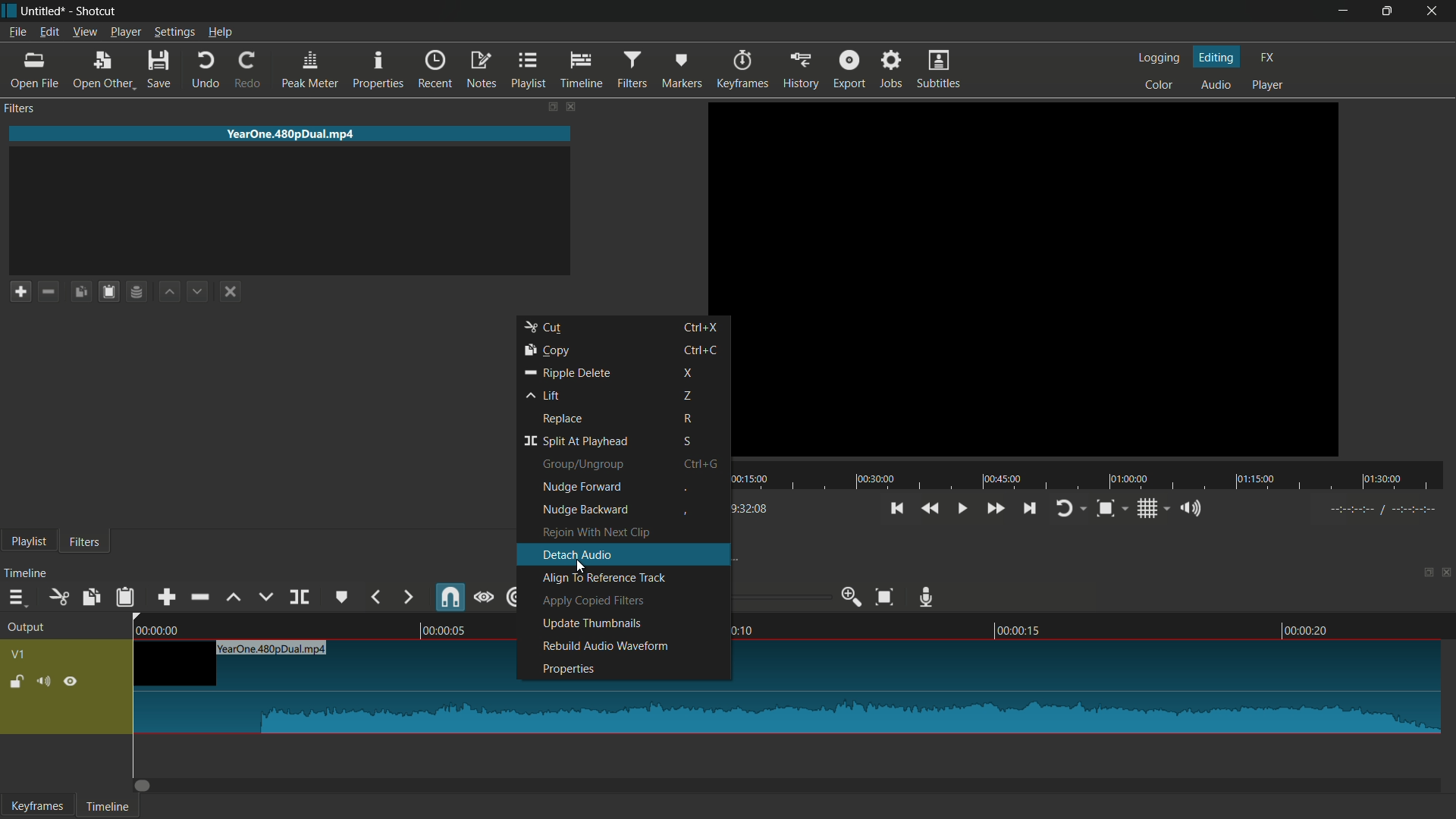 Image resolution: width=1456 pixels, height=819 pixels. Describe the element at coordinates (1000, 479) in the screenshot. I see `00:45:00` at that location.